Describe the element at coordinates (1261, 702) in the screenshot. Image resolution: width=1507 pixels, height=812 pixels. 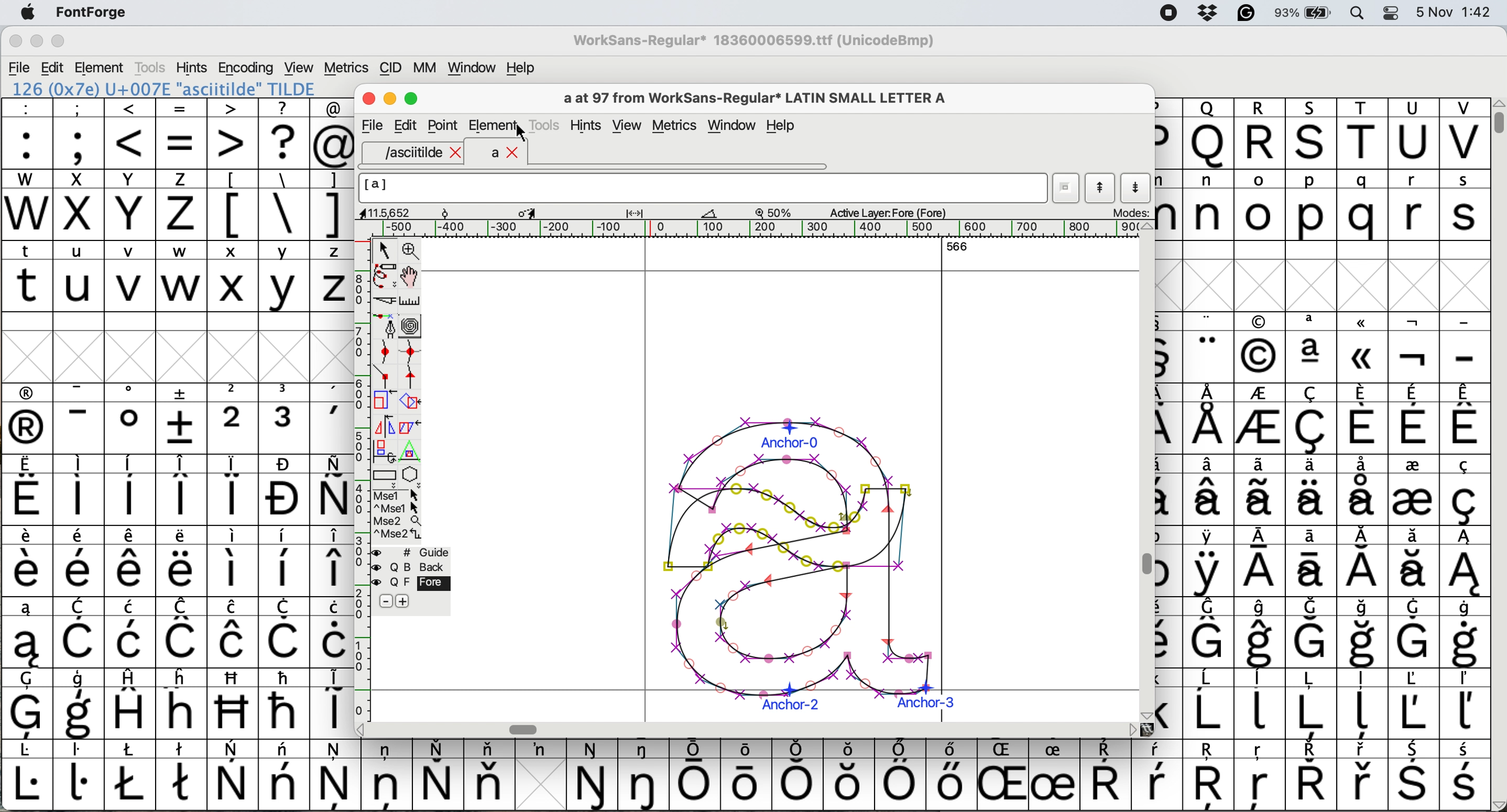
I see `symbol` at that location.